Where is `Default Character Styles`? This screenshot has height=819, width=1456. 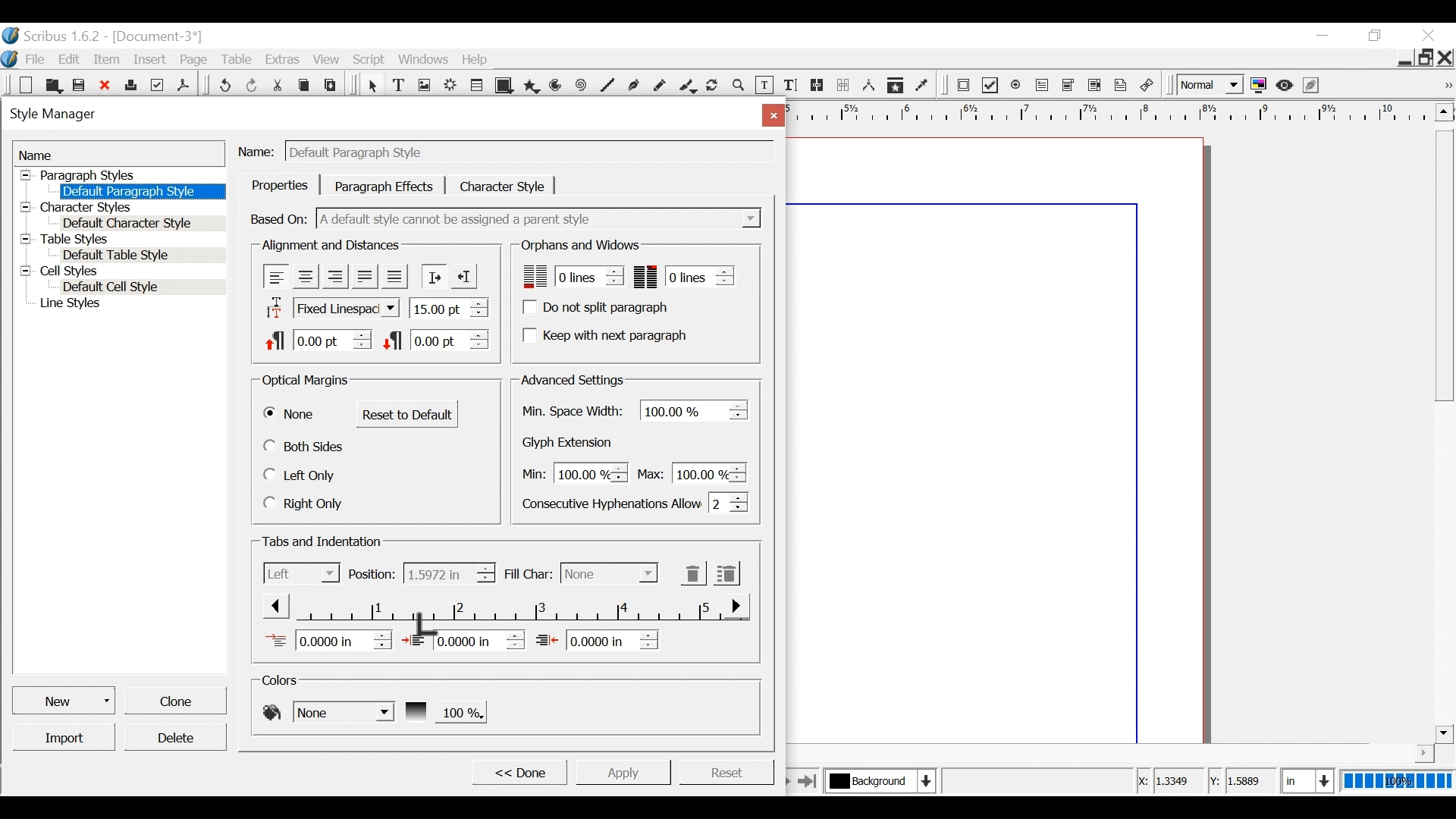
Default Character Styles is located at coordinates (142, 224).